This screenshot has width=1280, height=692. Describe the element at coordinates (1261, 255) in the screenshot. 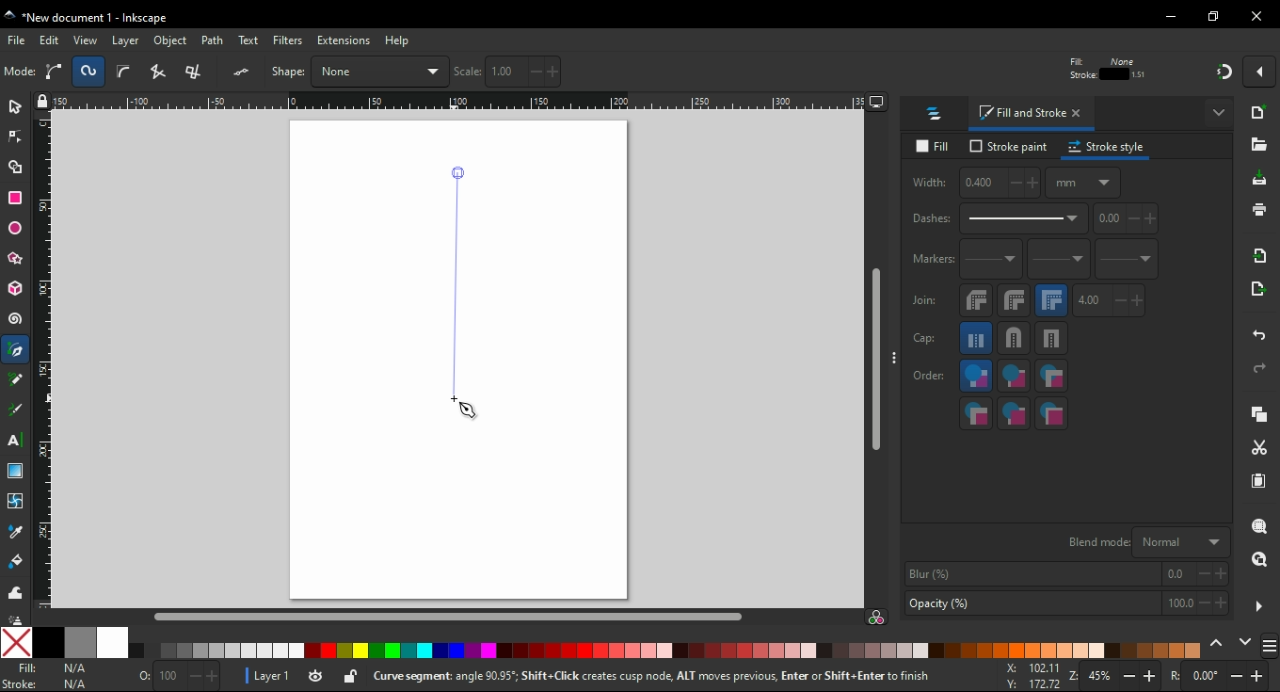

I see `import` at that location.